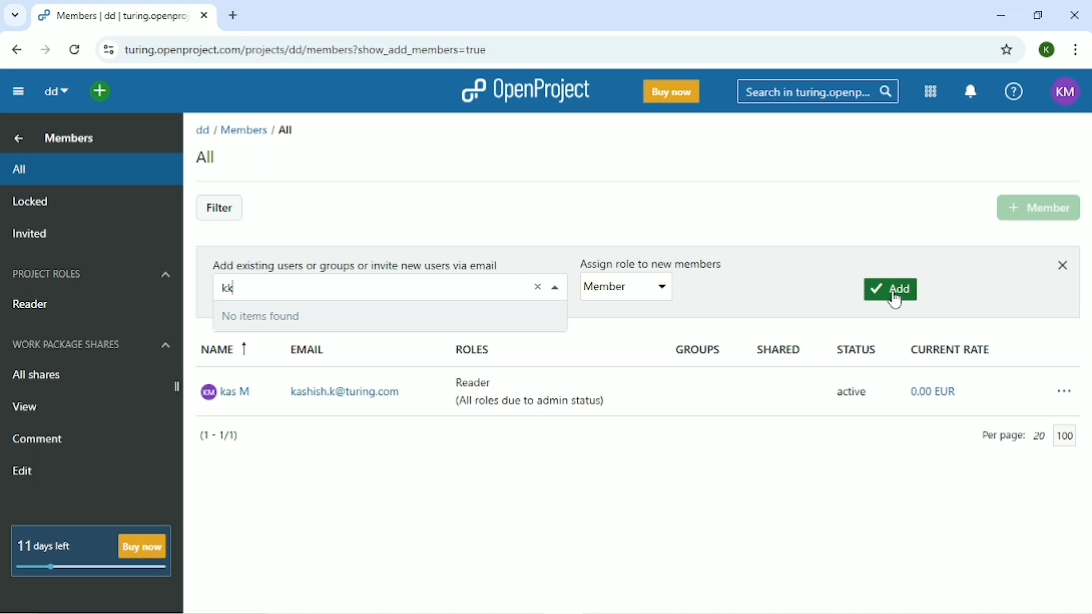  I want to click on Customize and control google chrome, so click(1074, 50).